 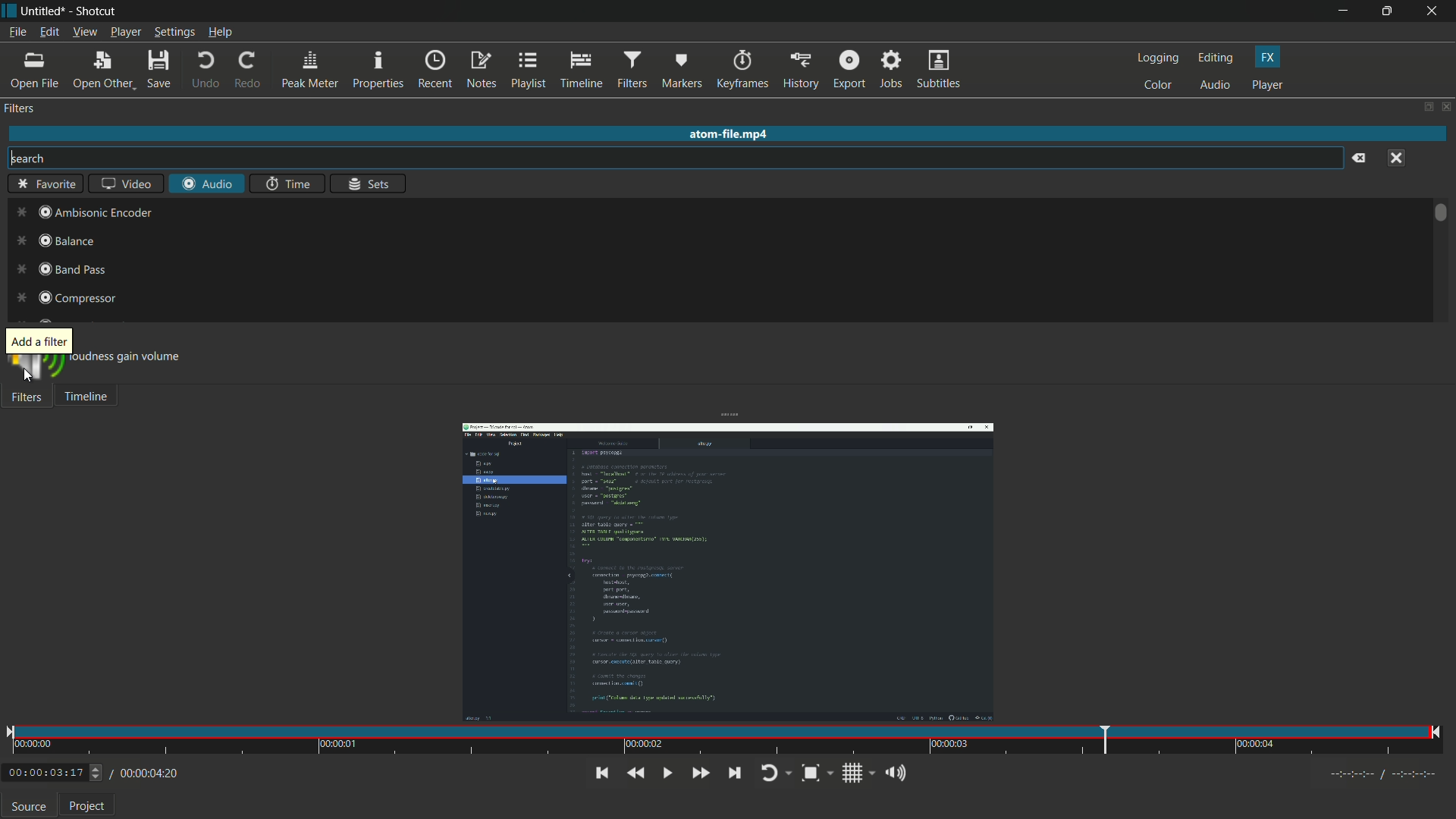 What do you see at coordinates (367, 183) in the screenshot?
I see `sets` at bounding box center [367, 183].